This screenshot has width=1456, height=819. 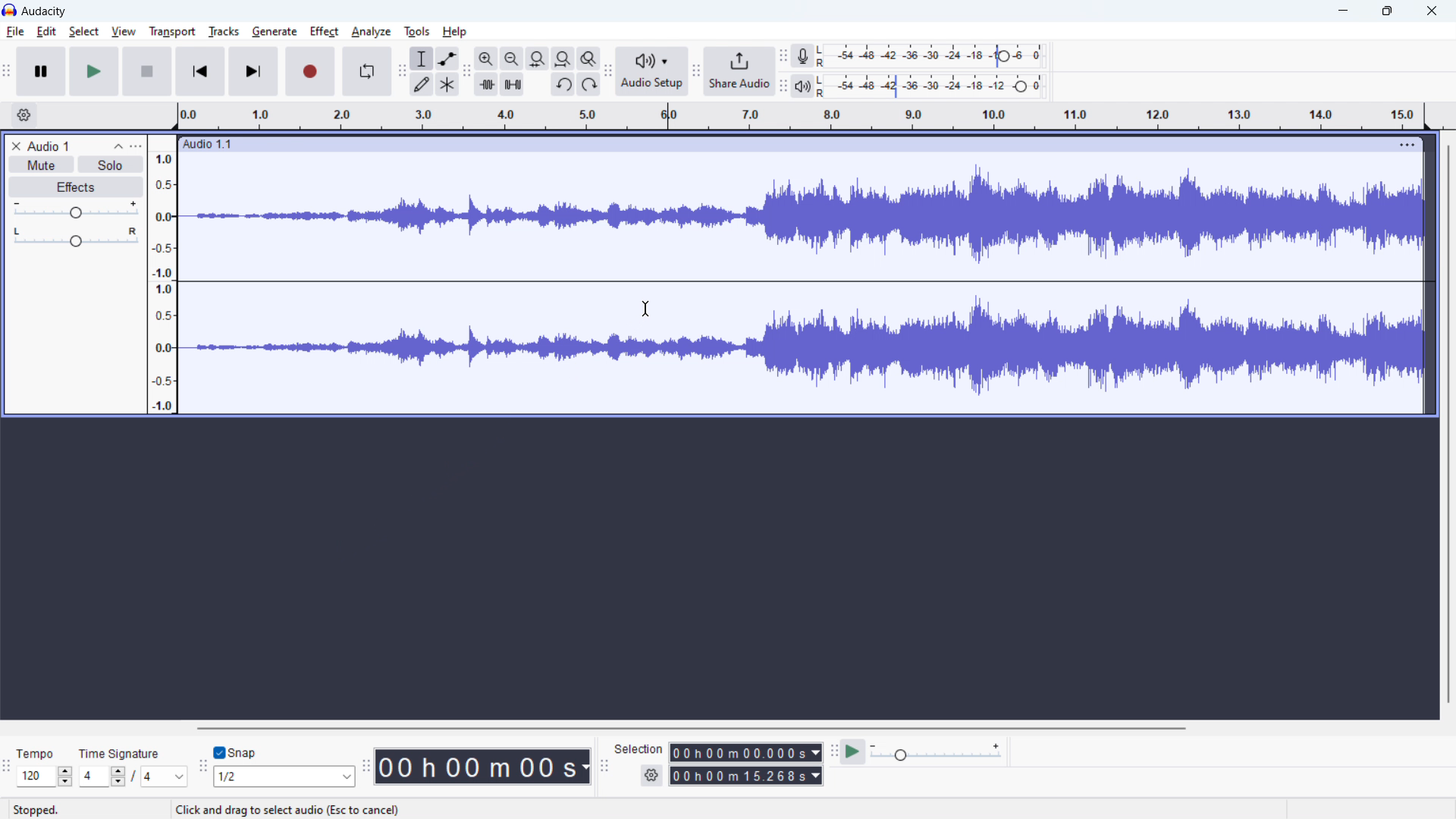 What do you see at coordinates (1342, 11) in the screenshot?
I see `minimize` at bounding box center [1342, 11].